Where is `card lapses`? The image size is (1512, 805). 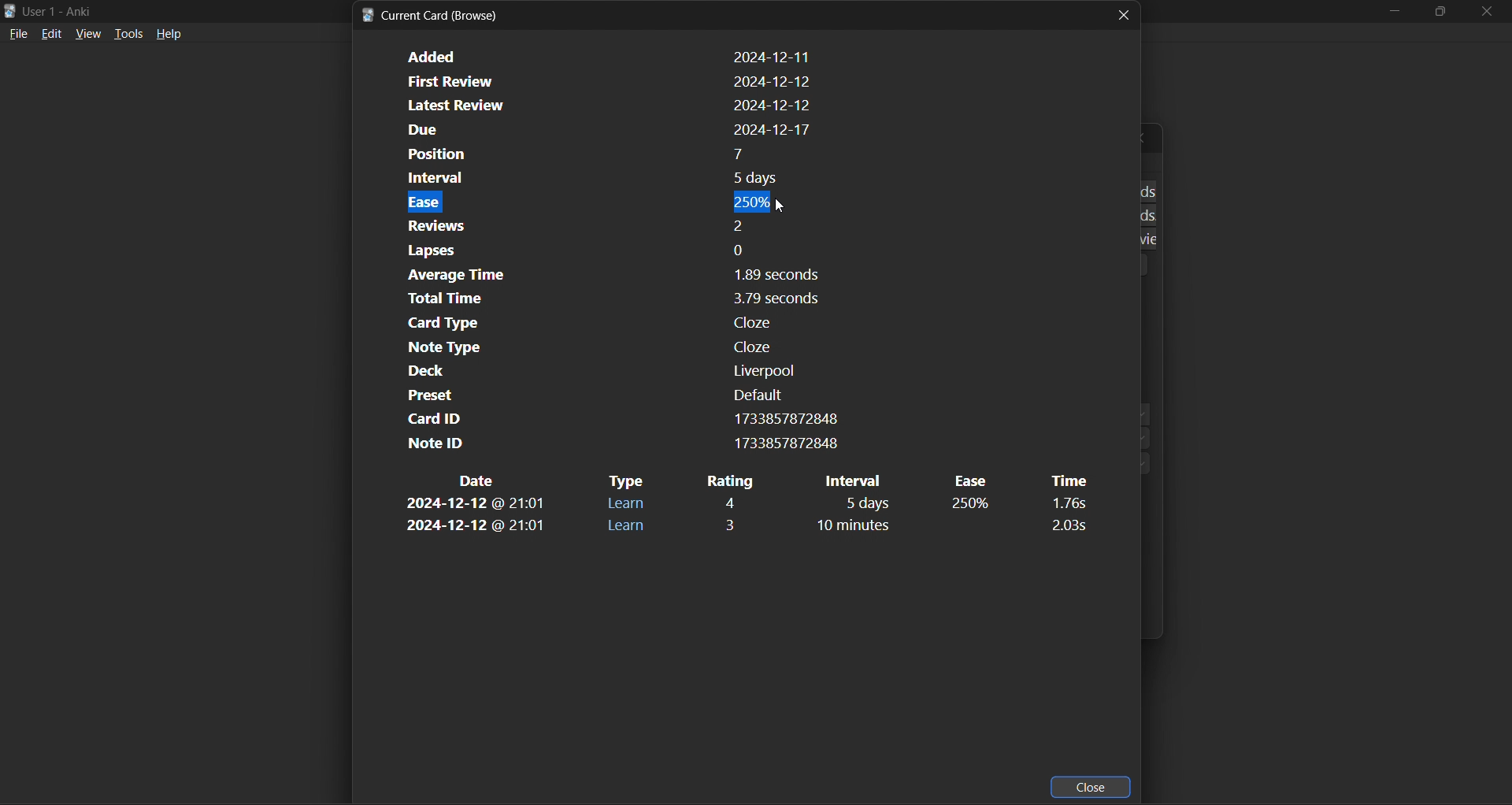 card lapses is located at coordinates (601, 250).